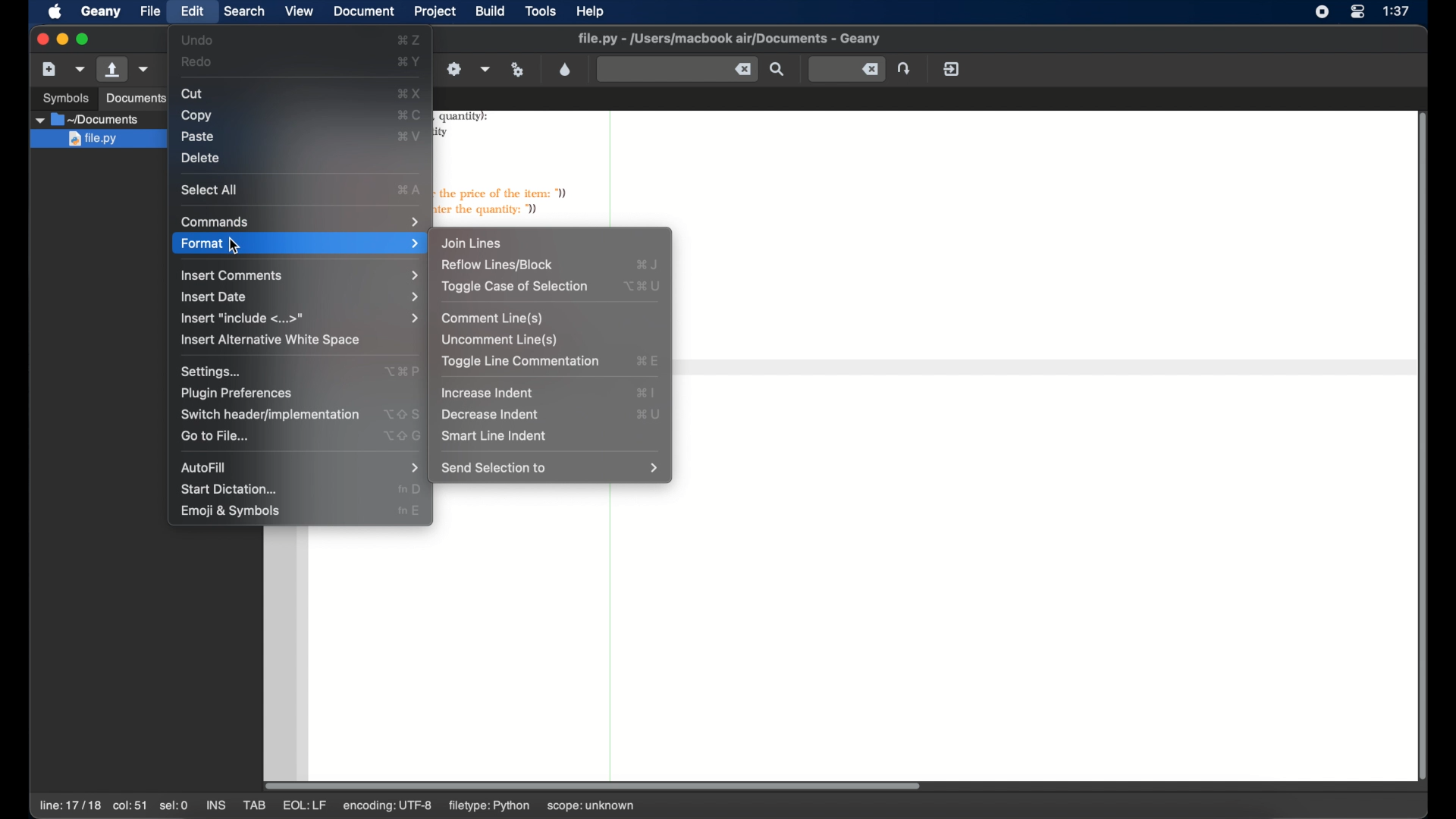 The image size is (1456, 819). What do you see at coordinates (951, 68) in the screenshot?
I see `quit geany` at bounding box center [951, 68].